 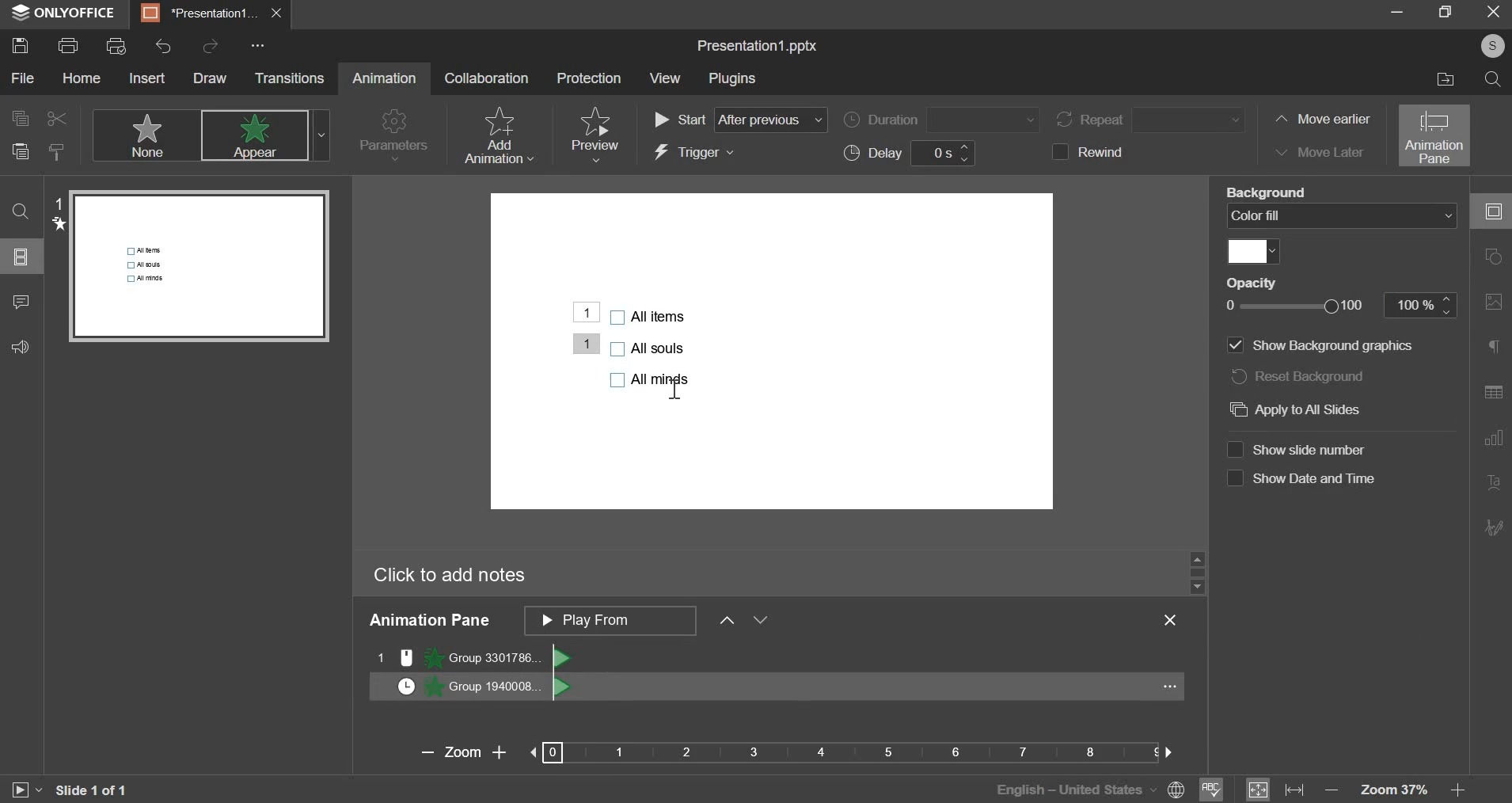 What do you see at coordinates (1492, 78) in the screenshot?
I see `search` at bounding box center [1492, 78].